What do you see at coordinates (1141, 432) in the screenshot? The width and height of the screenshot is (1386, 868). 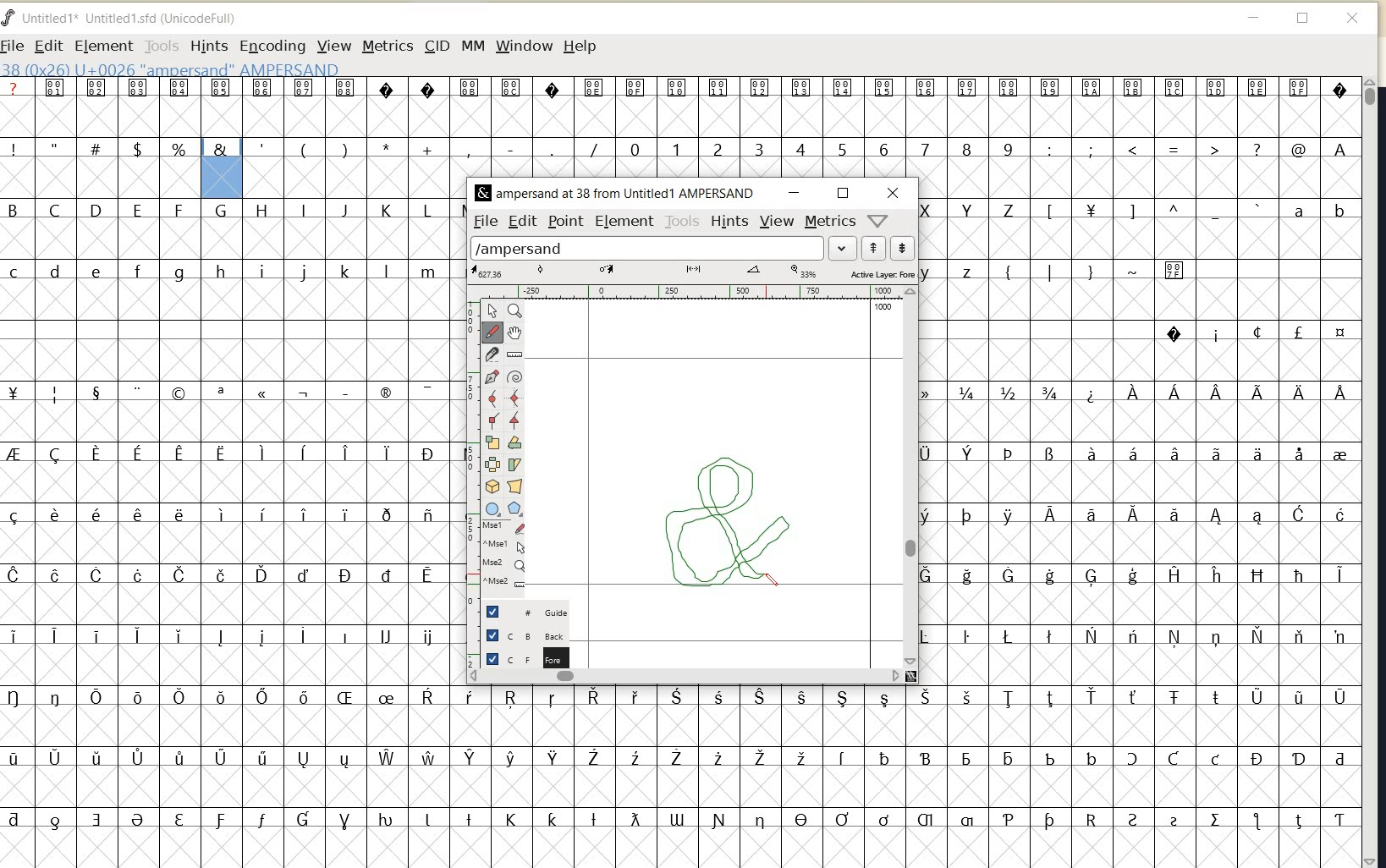 I see `glyph characters & numbers` at bounding box center [1141, 432].